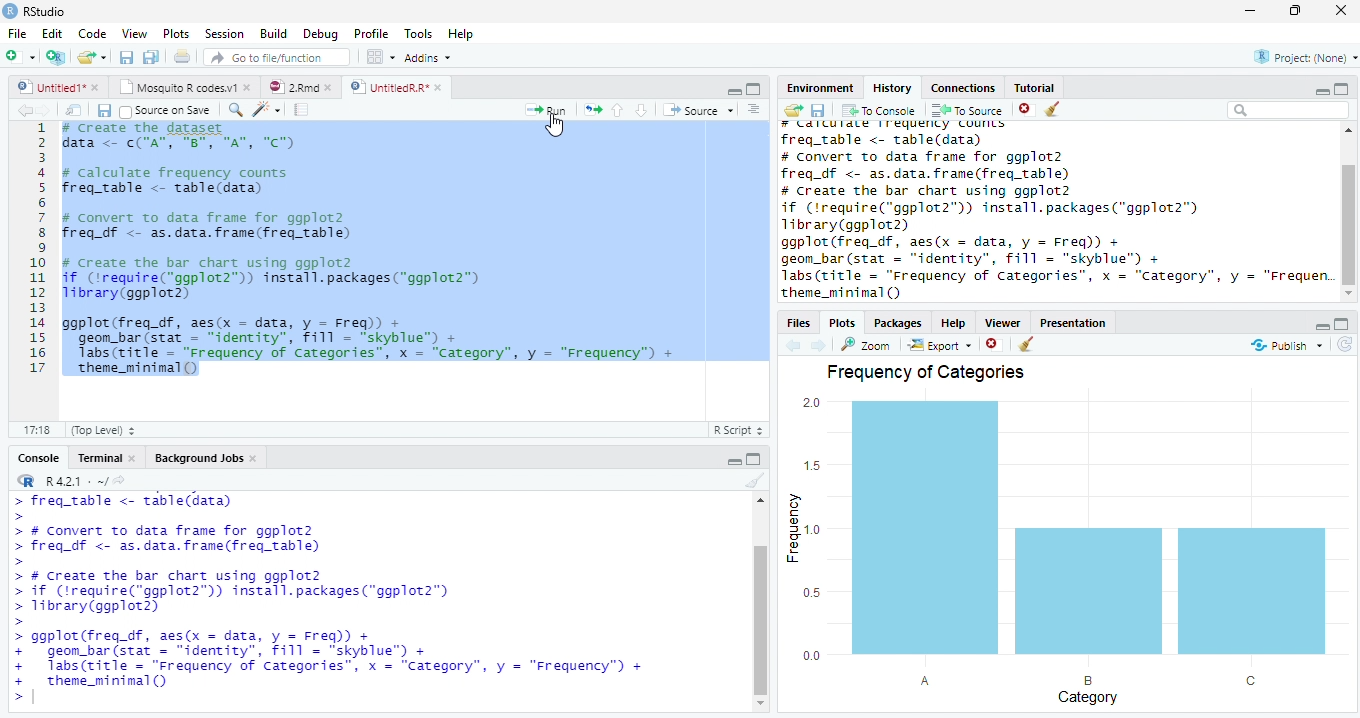 The width and height of the screenshot is (1360, 718). I want to click on Open an existing file, so click(93, 58).